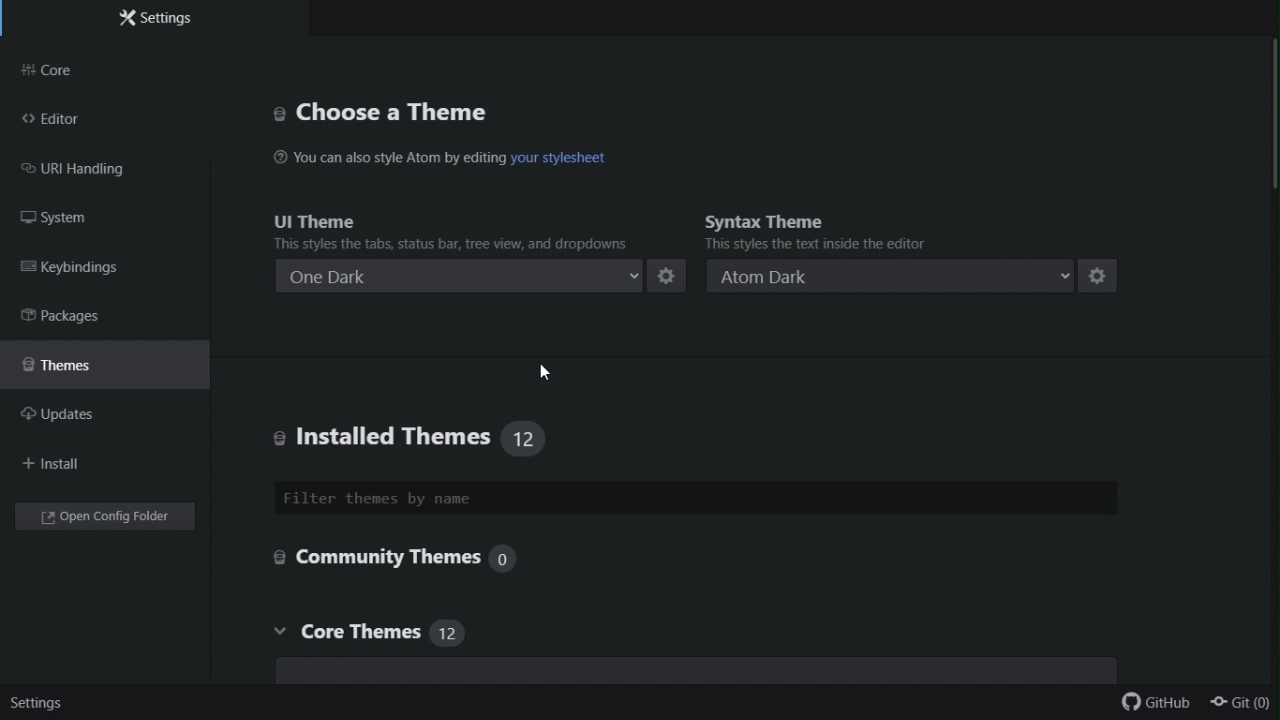 The image size is (1280, 720). I want to click on System, so click(66, 218).